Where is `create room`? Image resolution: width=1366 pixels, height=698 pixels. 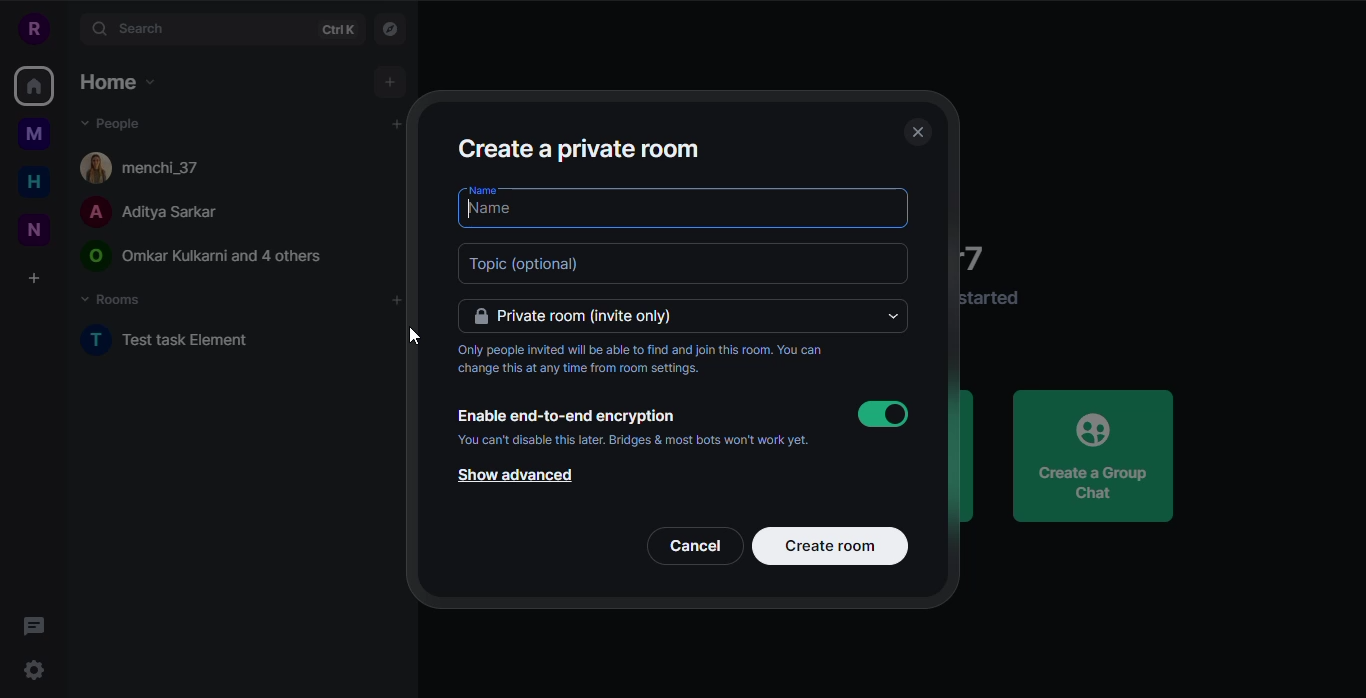
create room is located at coordinates (831, 545).